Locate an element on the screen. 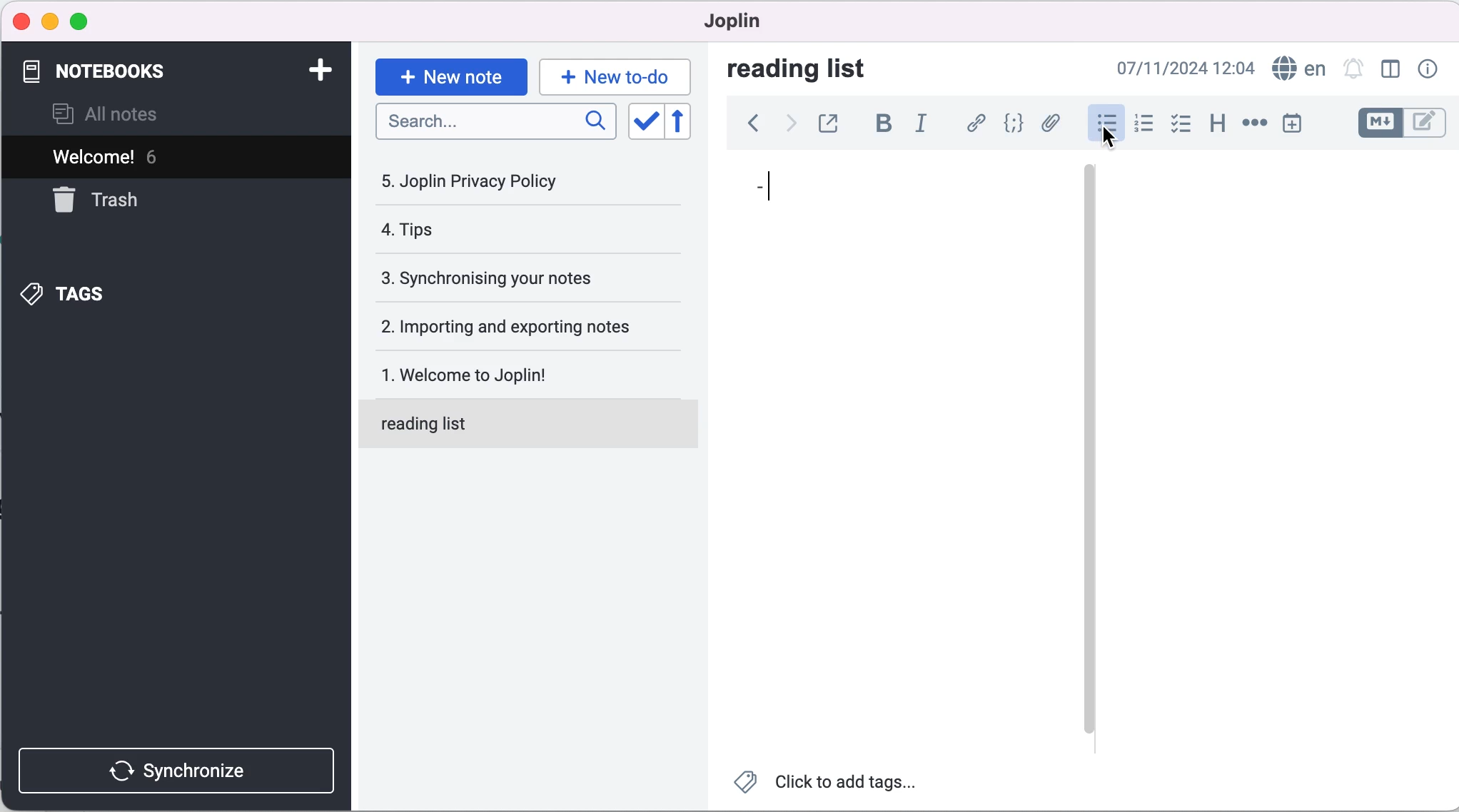 Image resolution: width=1459 pixels, height=812 pixels. toggle editors is located at coordinates (1397, 123).